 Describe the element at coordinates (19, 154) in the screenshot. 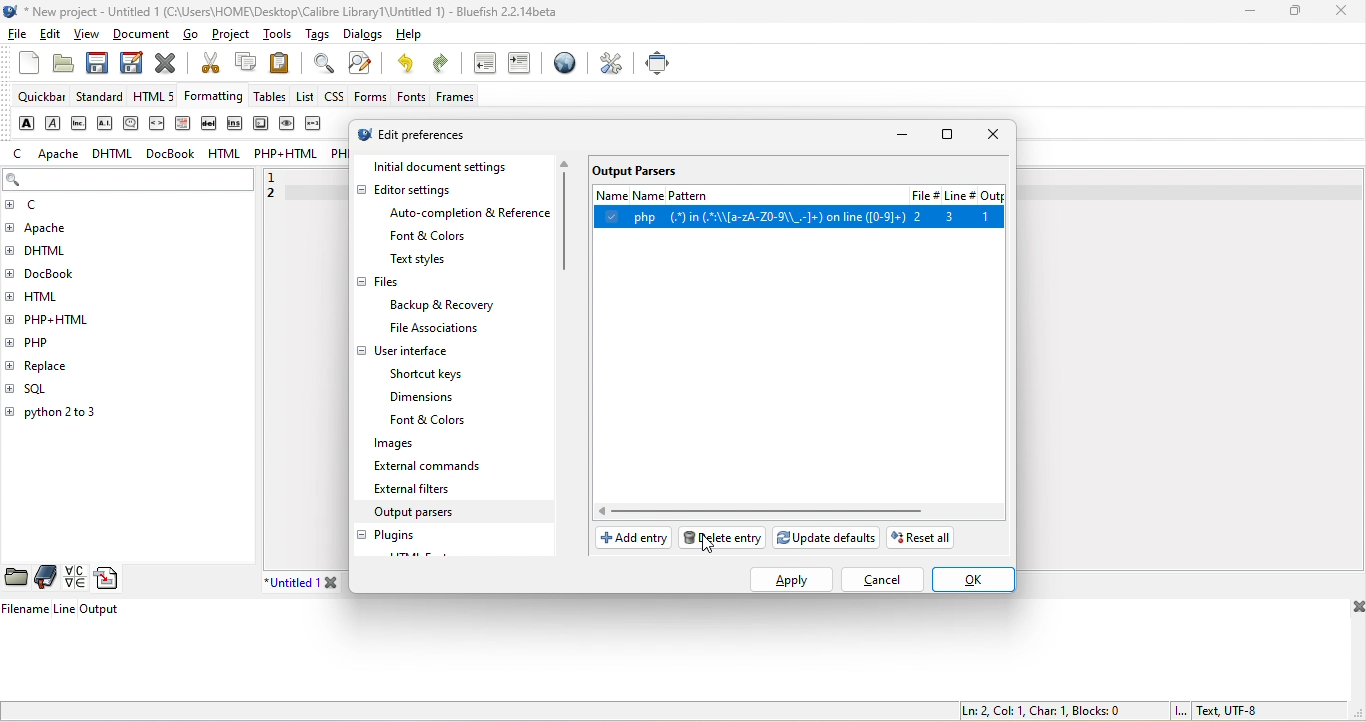

I see `c` at that location.